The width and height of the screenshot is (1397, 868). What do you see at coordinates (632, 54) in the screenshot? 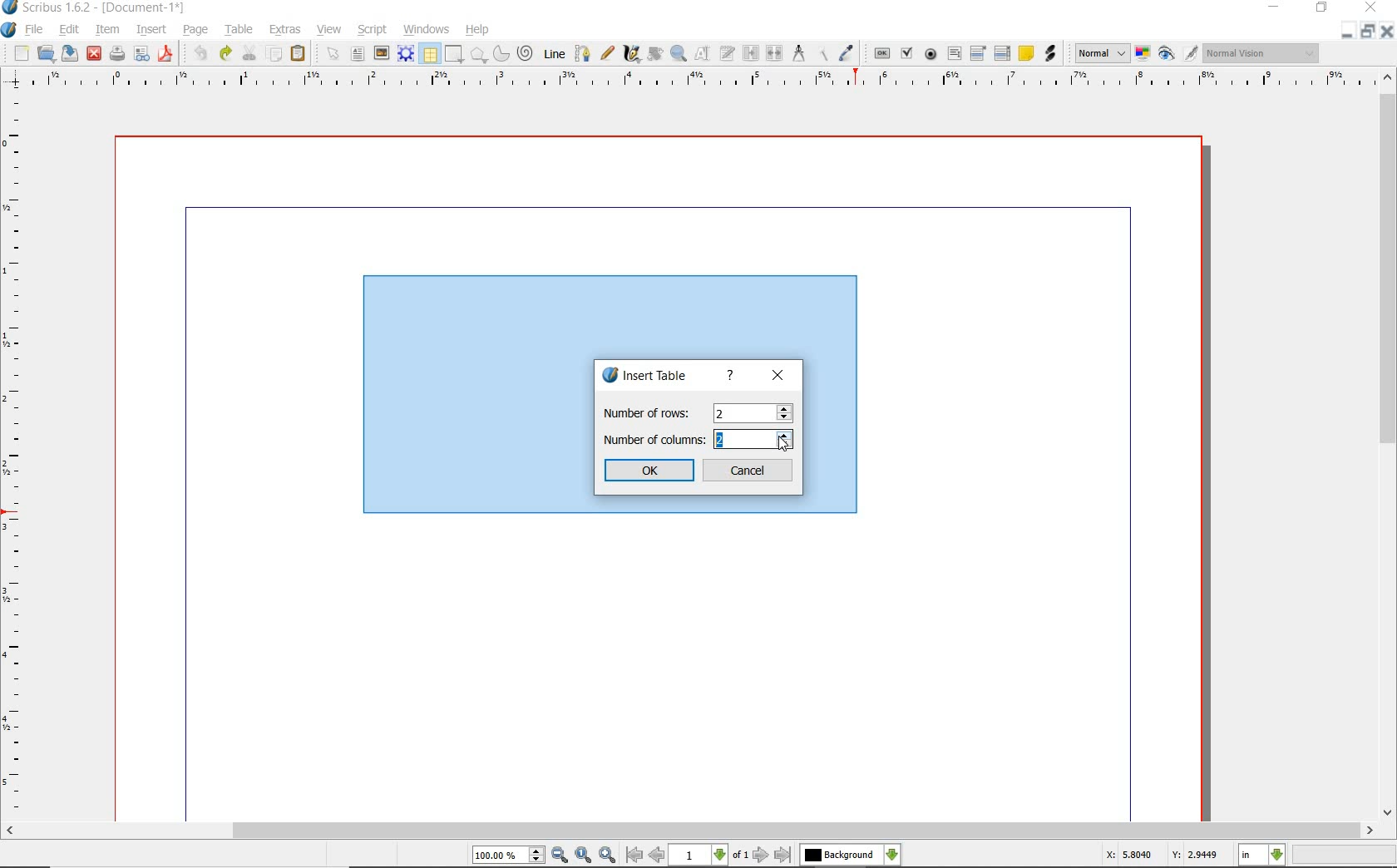
I see `calligraphic line` at bounding box center [632, 54].